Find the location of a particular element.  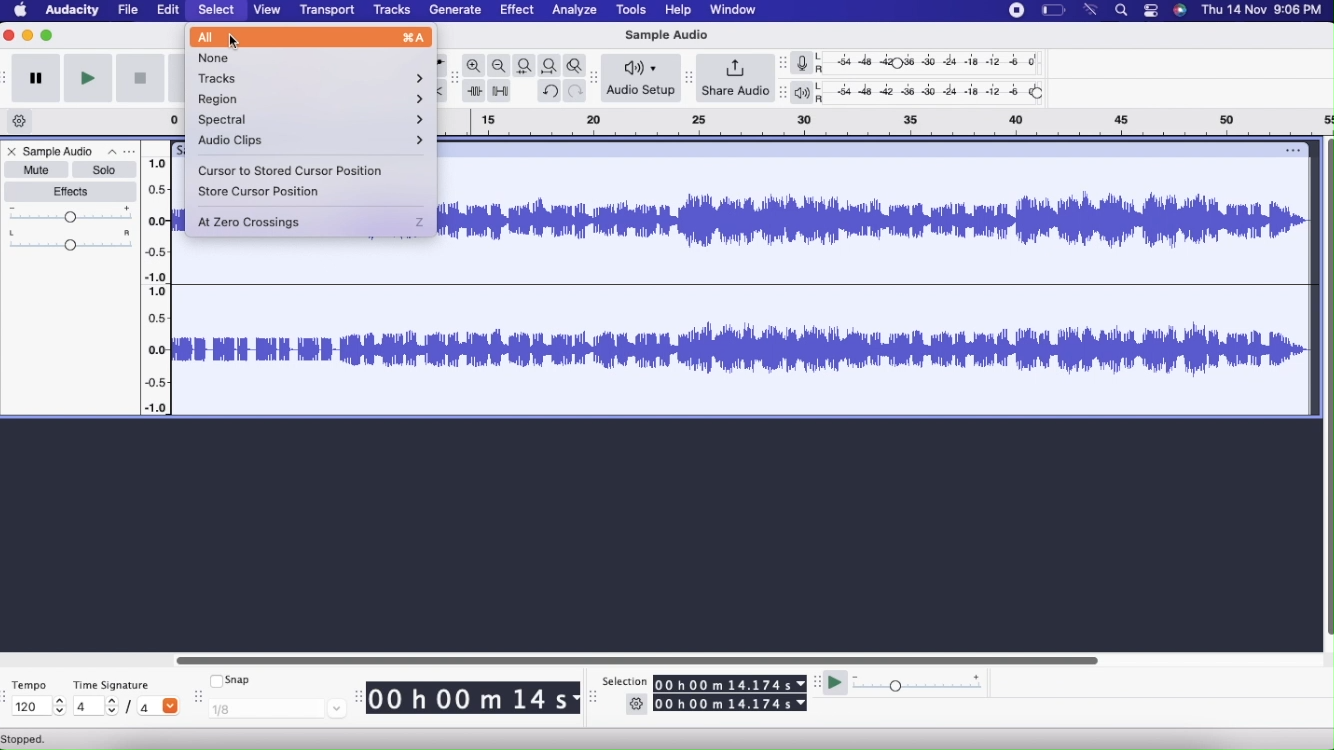

Play is located at coordinates (90, 78).